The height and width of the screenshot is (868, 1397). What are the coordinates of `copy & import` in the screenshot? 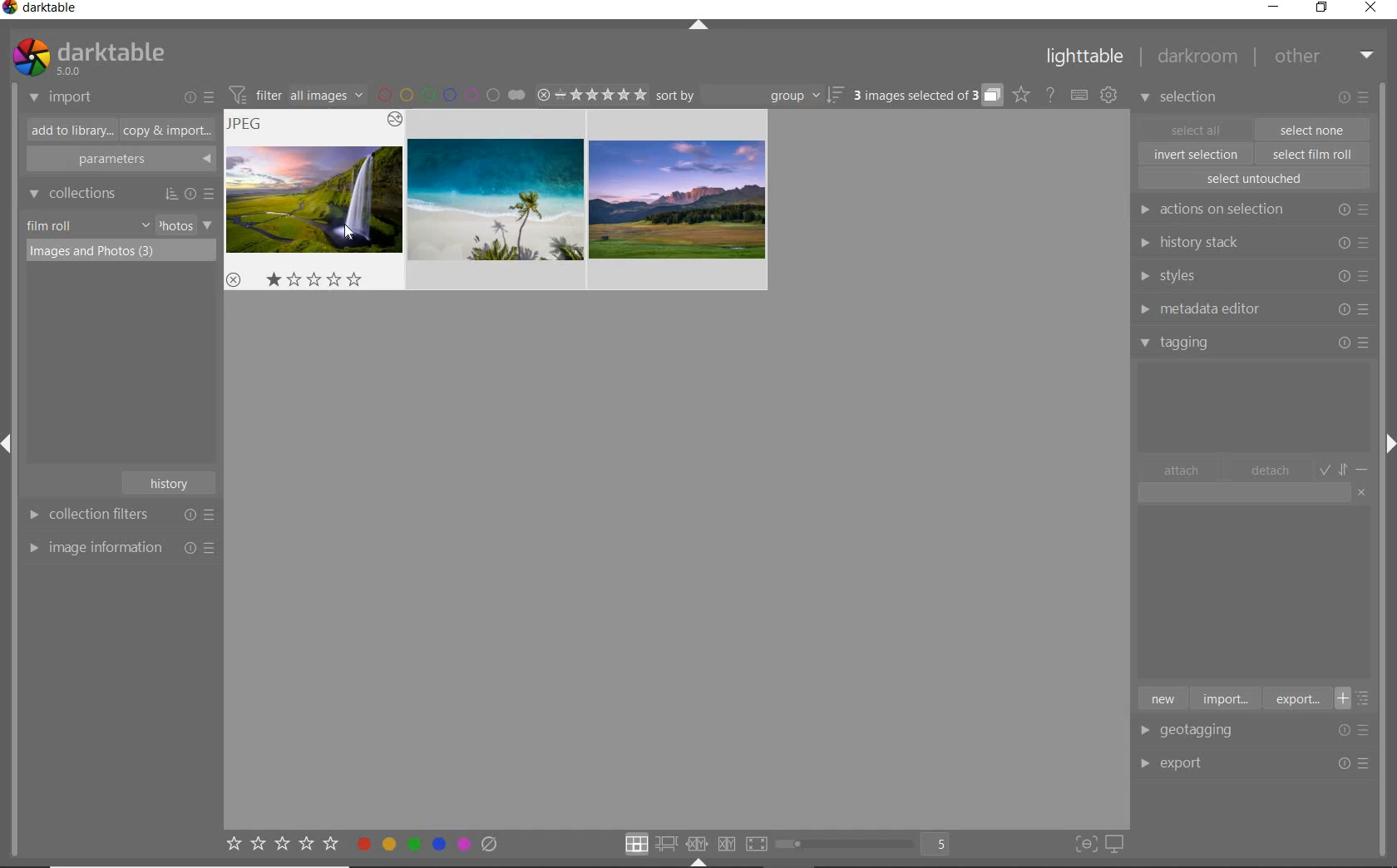 It's located at (164, 131).